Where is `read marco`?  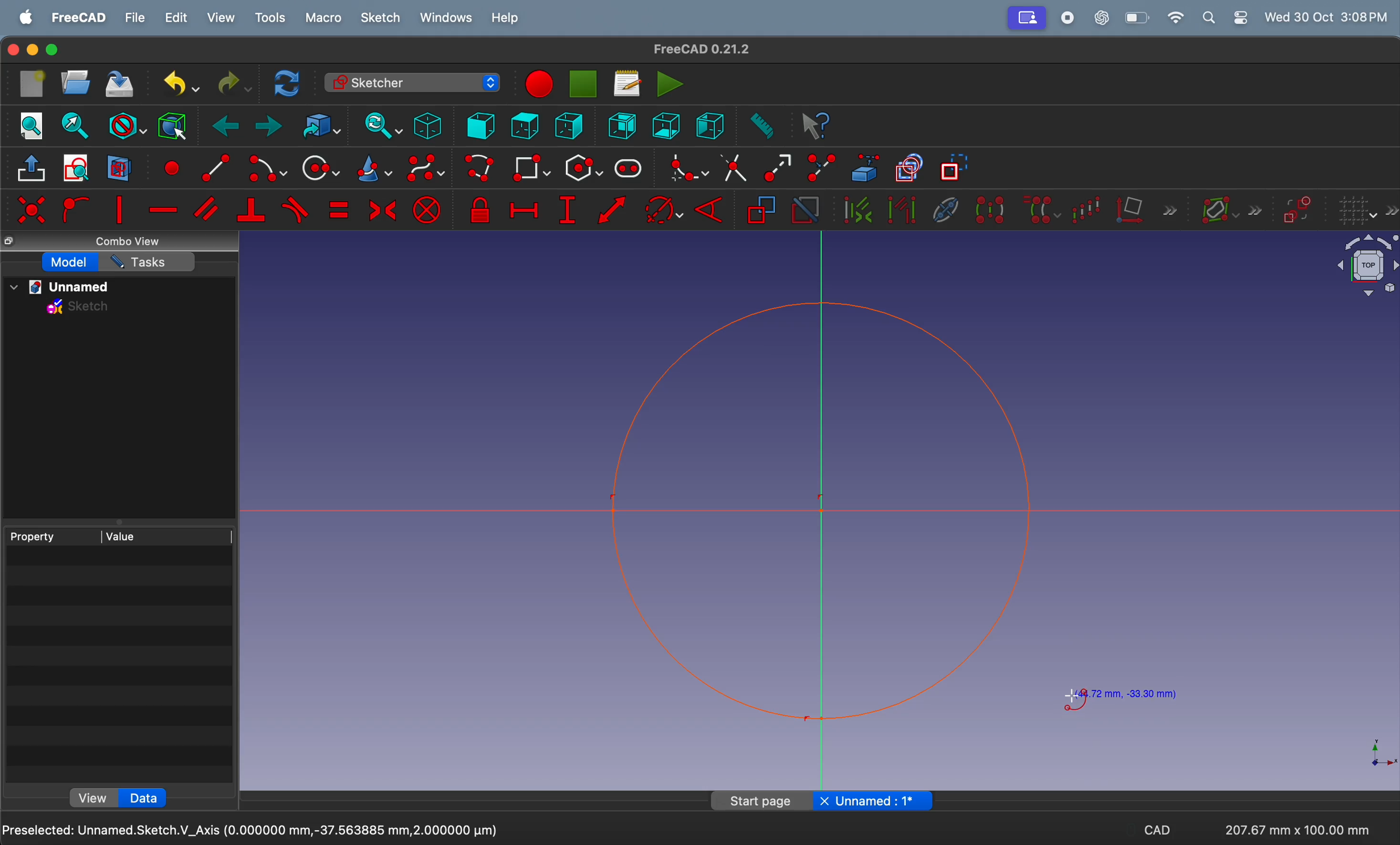 read marco is located at coordinates (627, 83).